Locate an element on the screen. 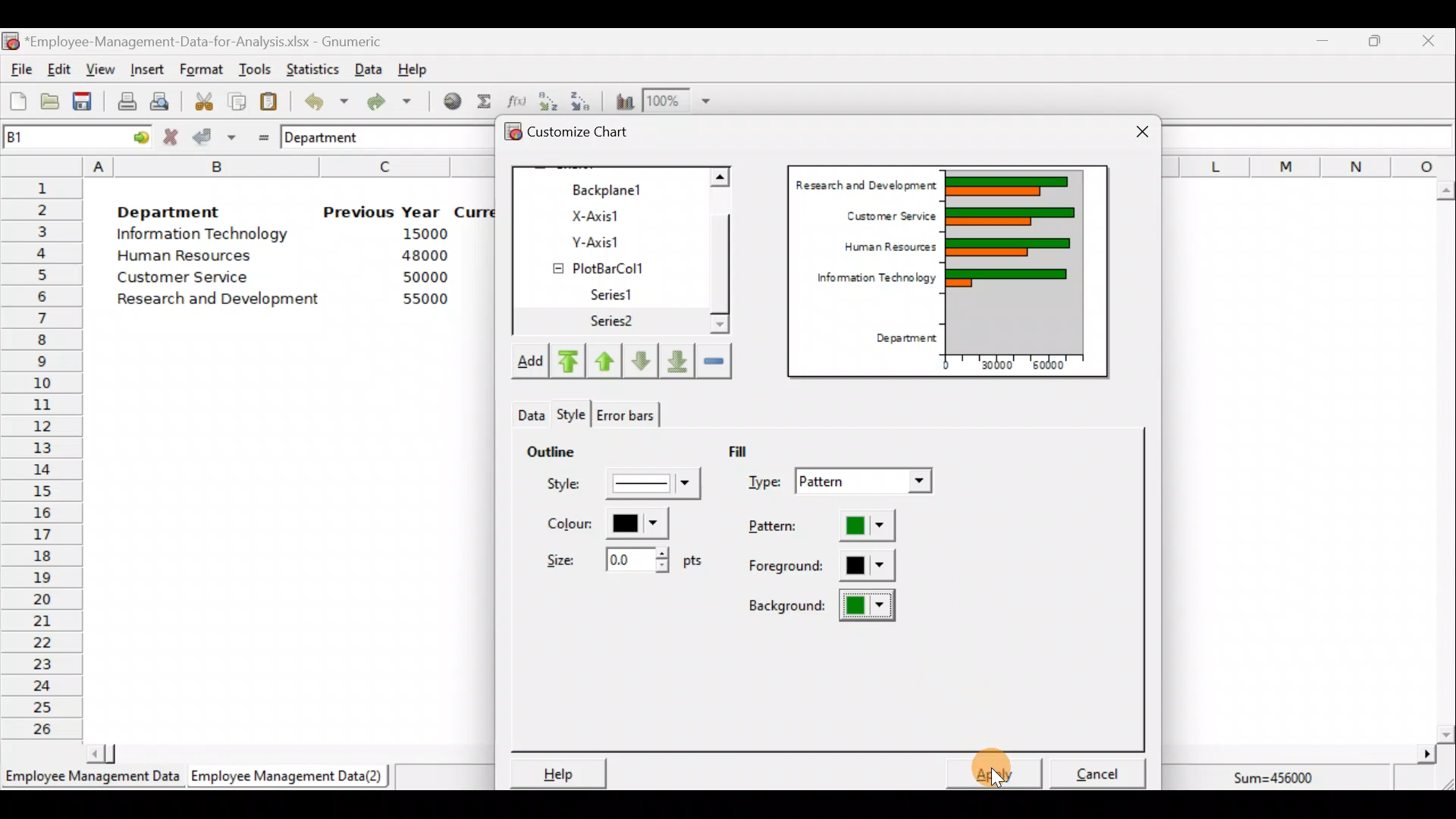 The width and height of the screenshot is (1456, 819). Cut the selection is located at coordinates (199, 99).